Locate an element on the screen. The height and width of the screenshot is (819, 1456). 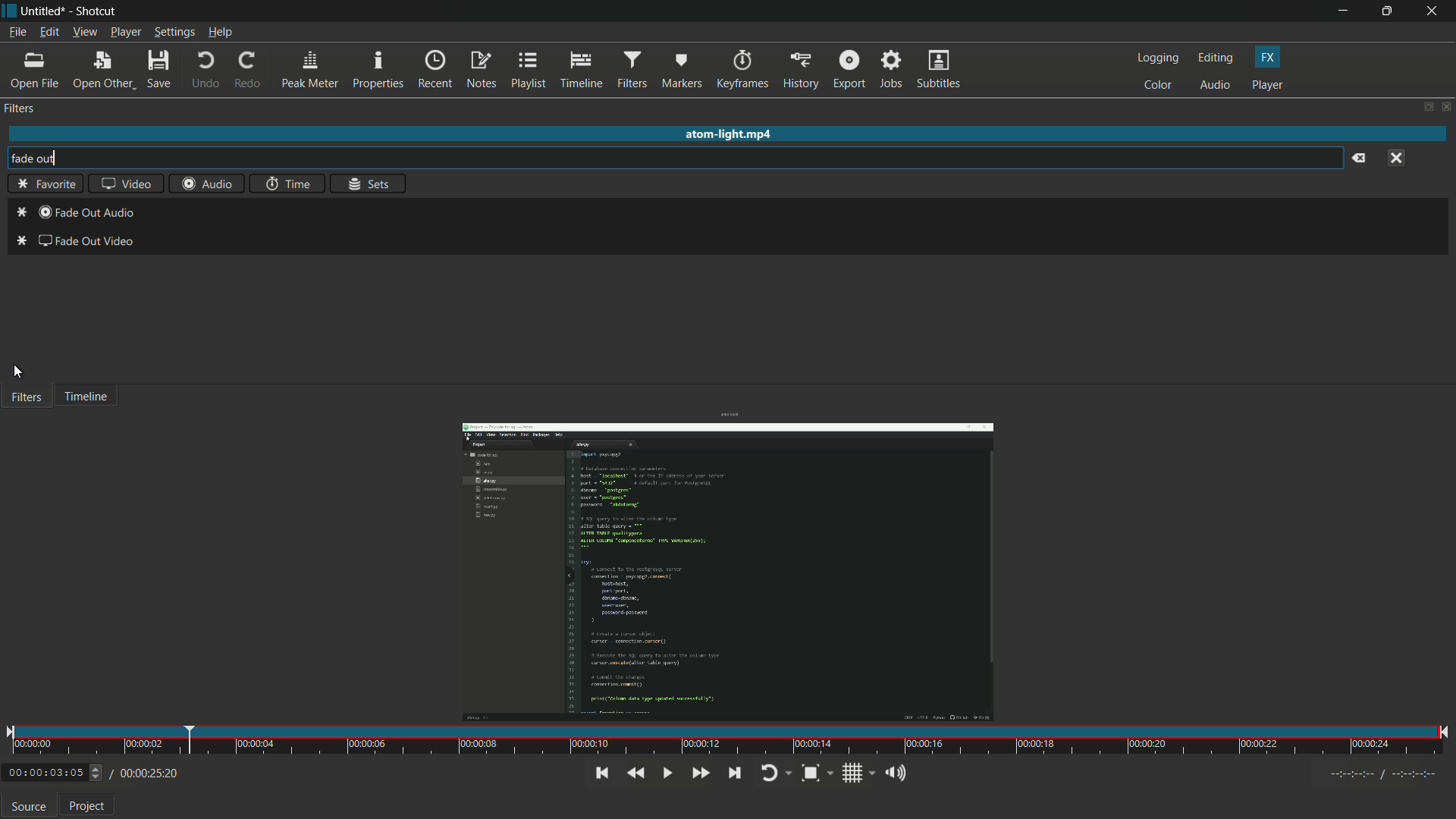
recent is located at coordinates (435, 70).